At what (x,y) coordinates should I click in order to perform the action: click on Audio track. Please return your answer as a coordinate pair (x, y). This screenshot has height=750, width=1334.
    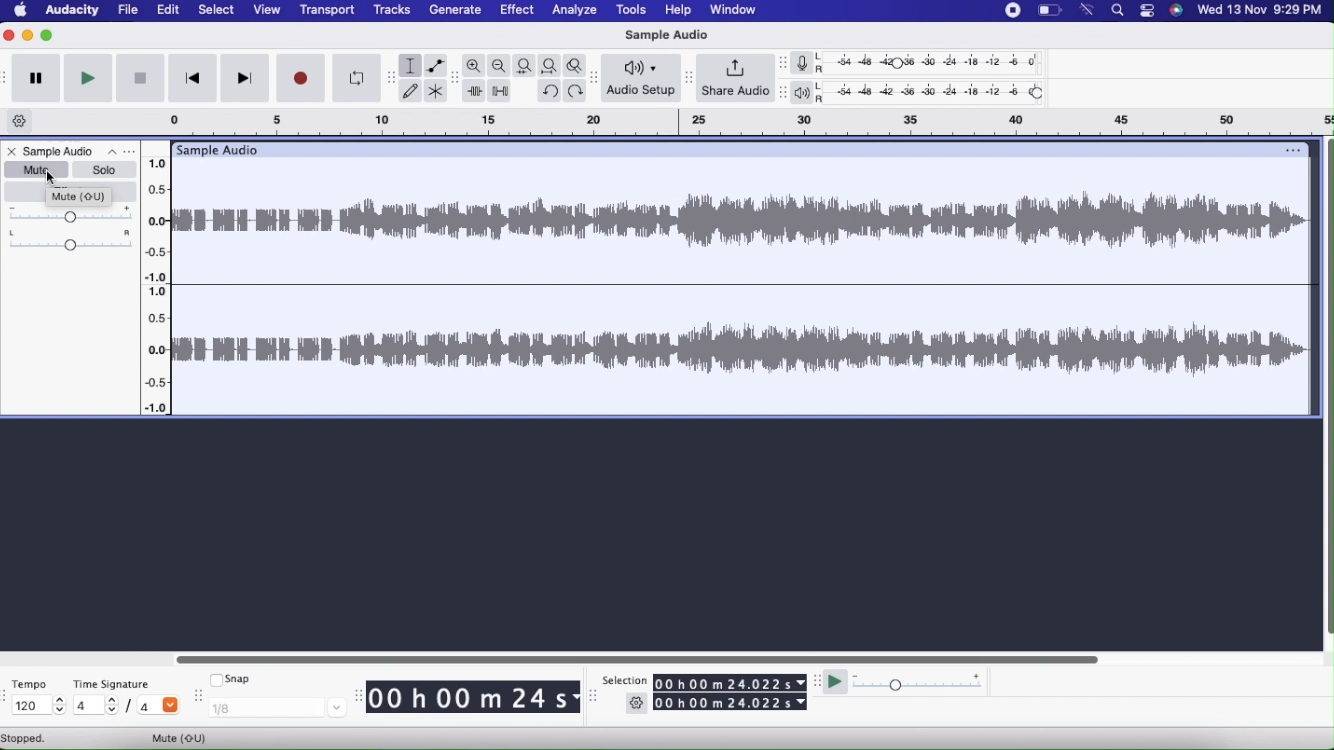
    Looking at the image, I should click on (742, 287).